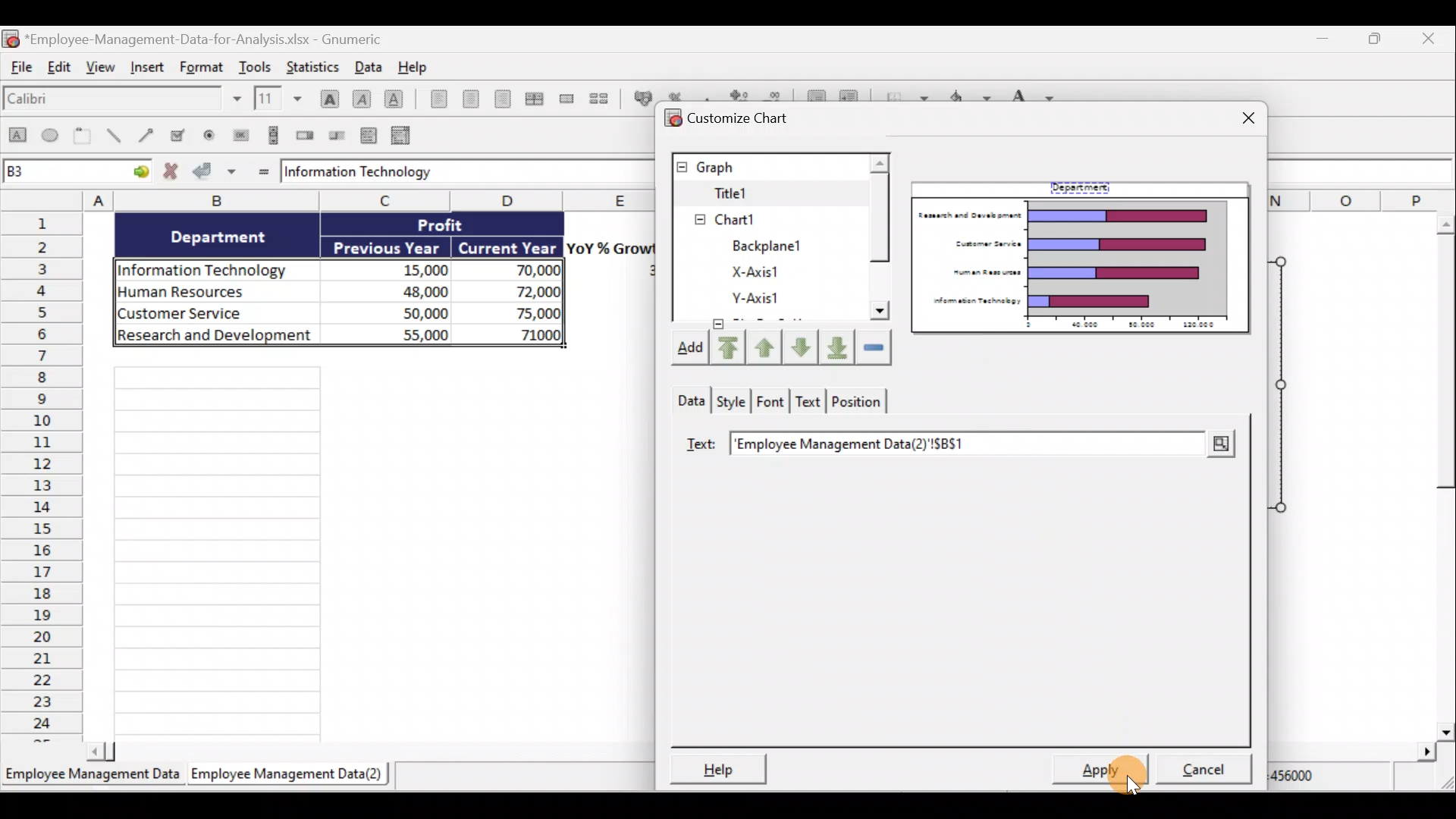 This screenshot has height=819, width=1456. What do you see at coordinates (839, 349) in the screenshot?
I see `Move downward` at bounding box center [839, 349].